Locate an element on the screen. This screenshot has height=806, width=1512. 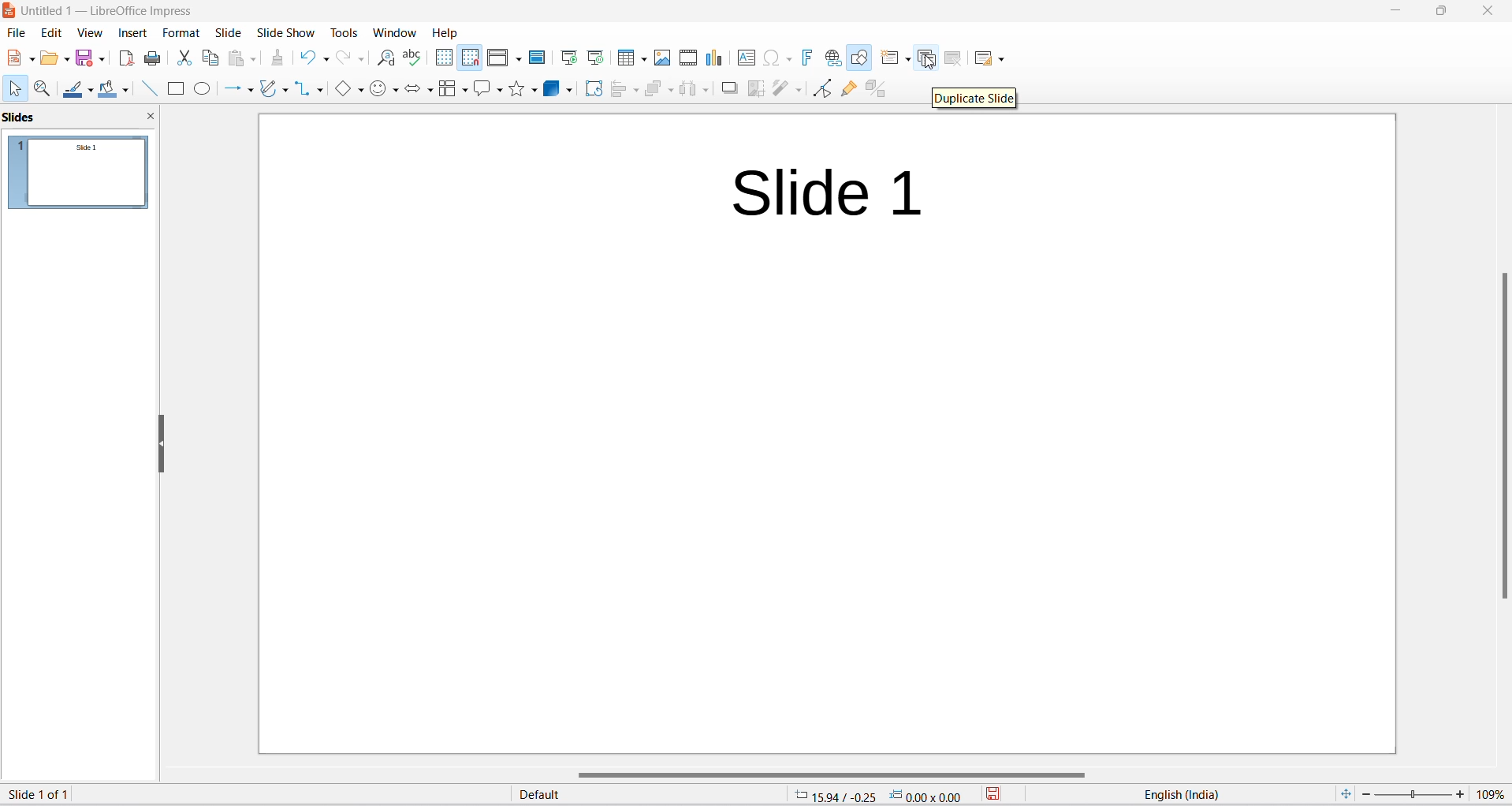
text language is located at coordinates (1204, 794).